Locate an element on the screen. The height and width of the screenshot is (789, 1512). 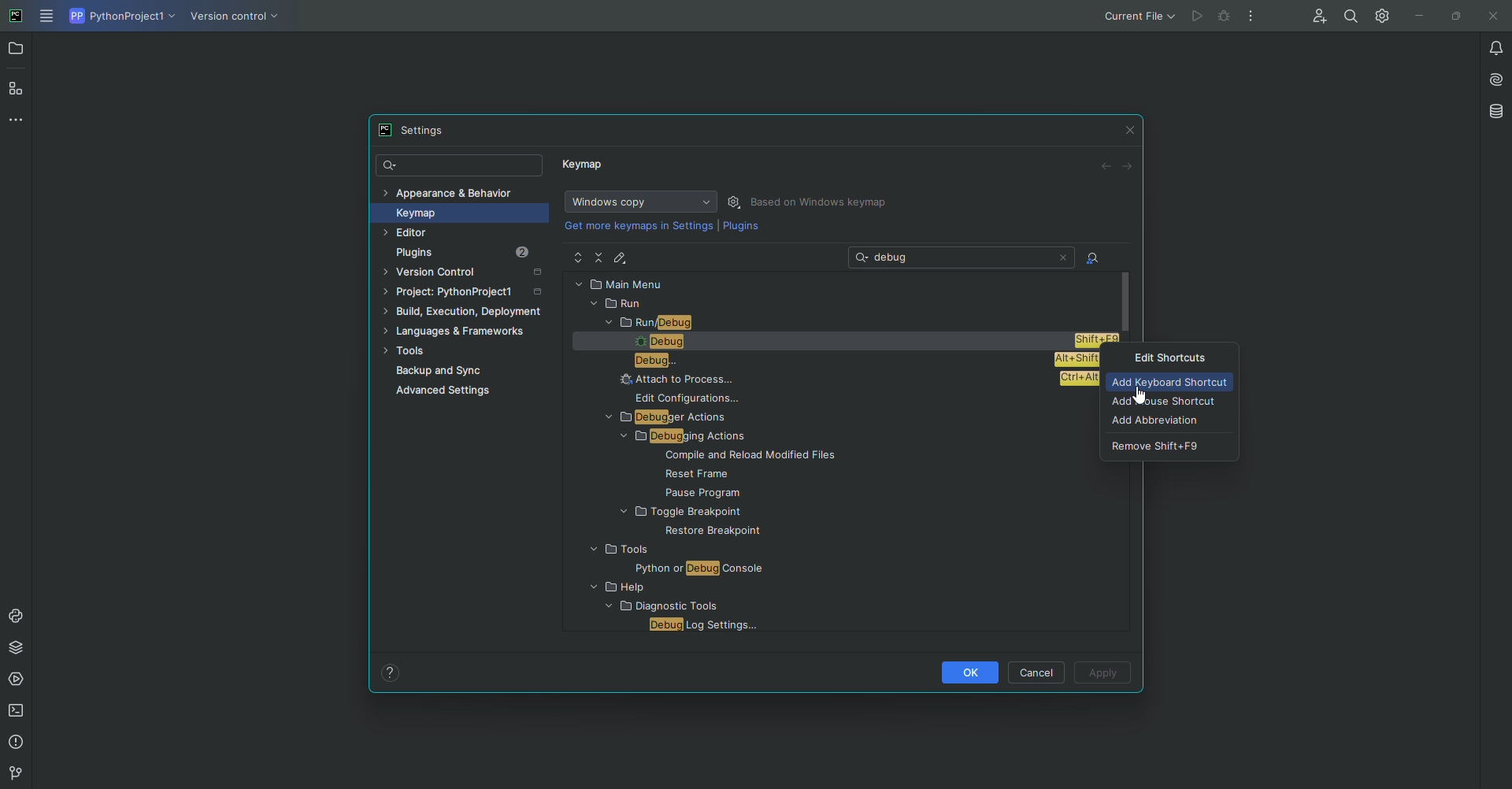
Current file is located at coordinates (1138, 16).